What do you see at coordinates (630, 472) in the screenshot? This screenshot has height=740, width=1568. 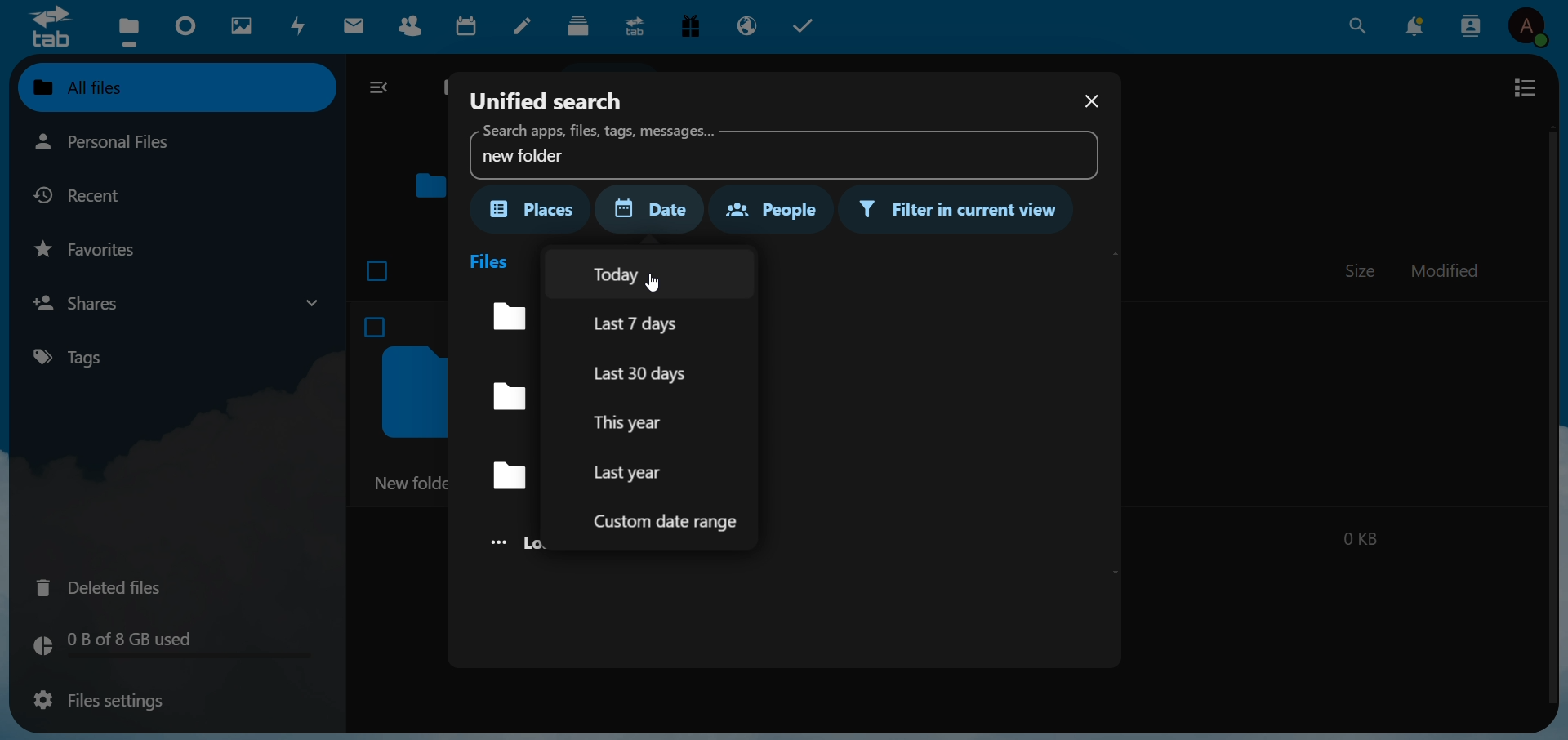 I see `last year` at bounding box center [630, 472].